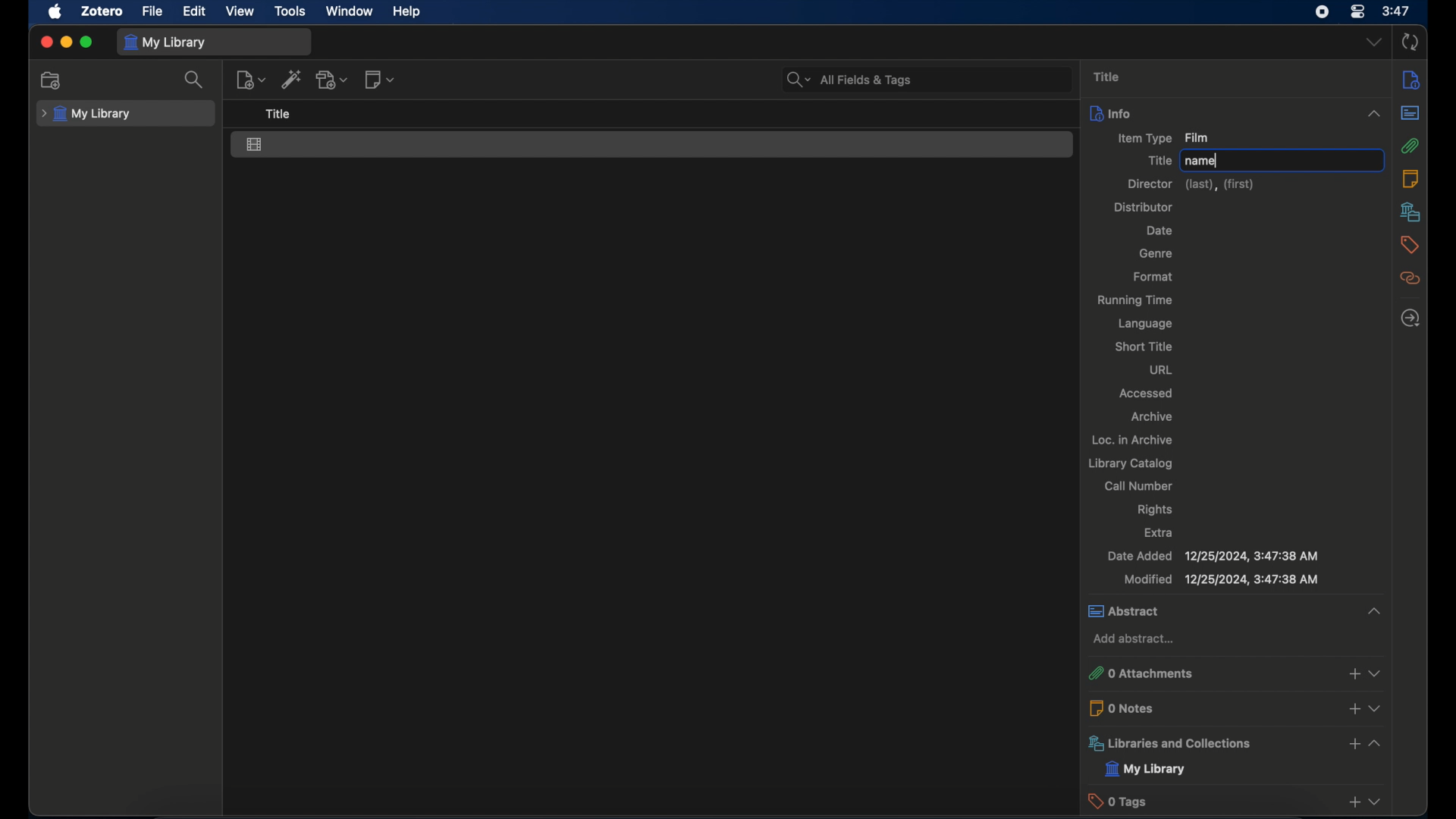 This screenshot has height=819, width=1456. Describe the element at coordinates (1144, 346) in the screenshot. I see `short title` at that location.